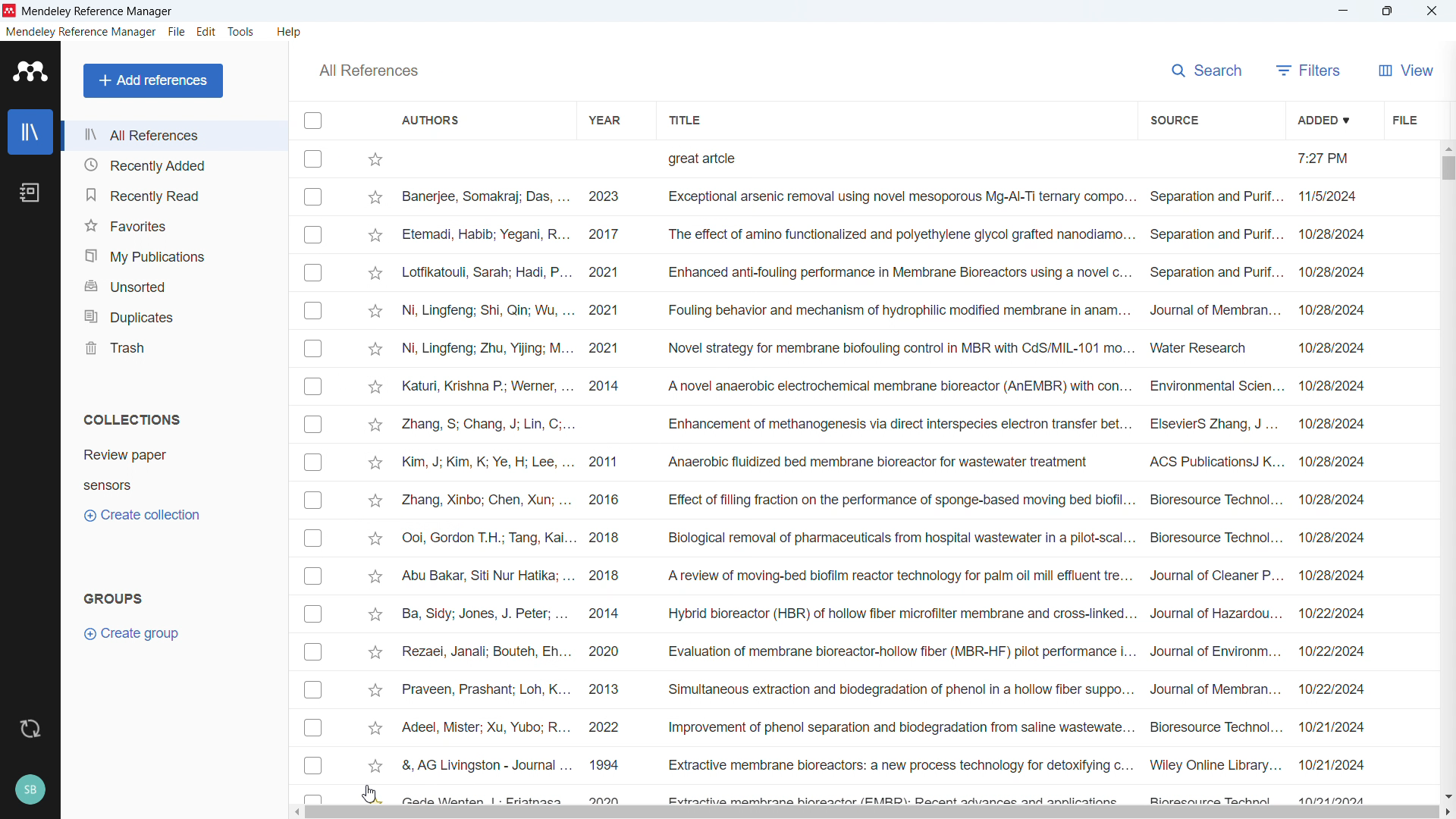  What do you see at coordinates (312, 494) in the screenshot?
I see `Select individual entries ` at bounding box center [312, 494].